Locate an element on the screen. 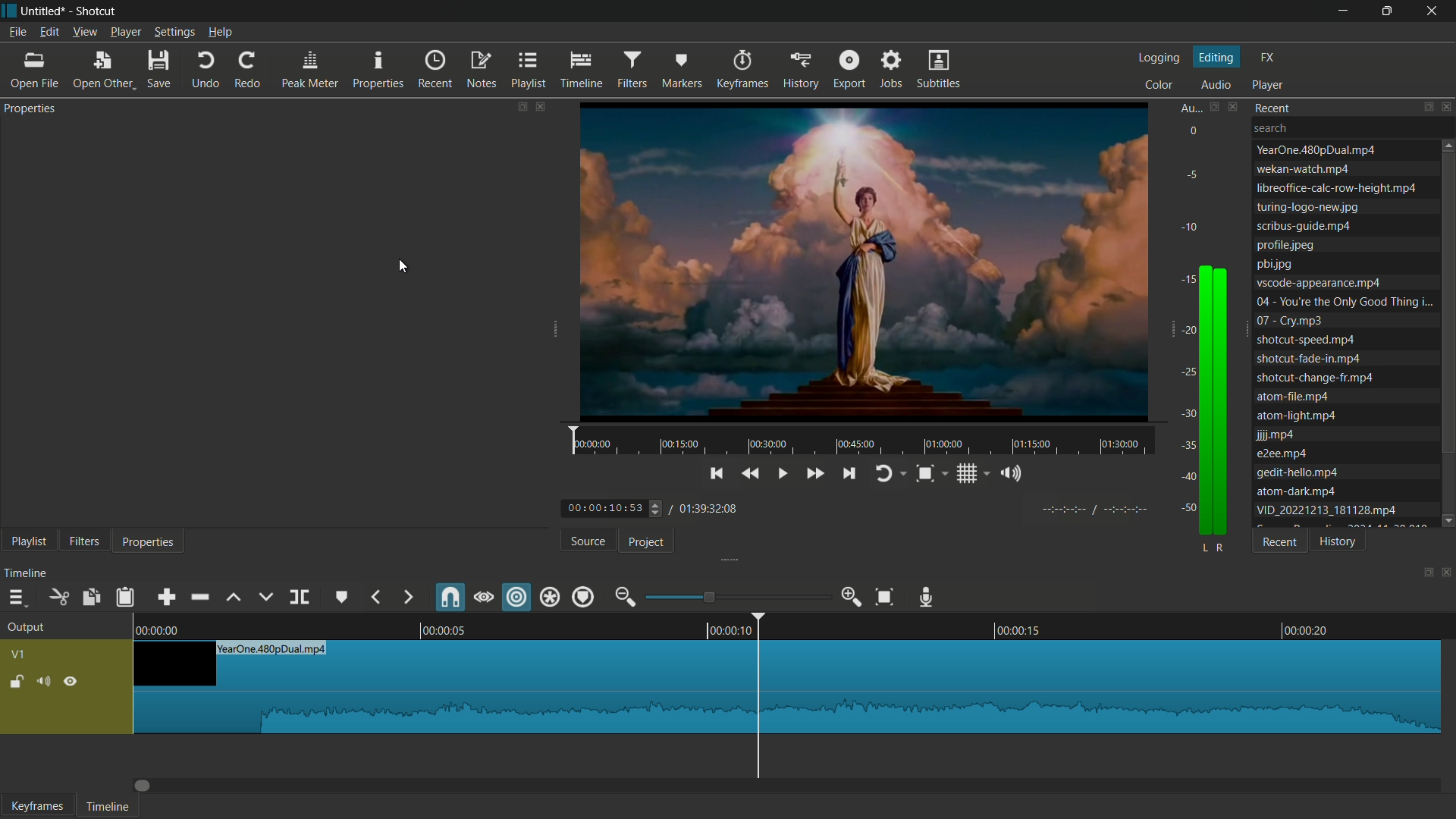 The height and width of the screenshot is (819, 1456). L is located at coordinates (1203, 548).